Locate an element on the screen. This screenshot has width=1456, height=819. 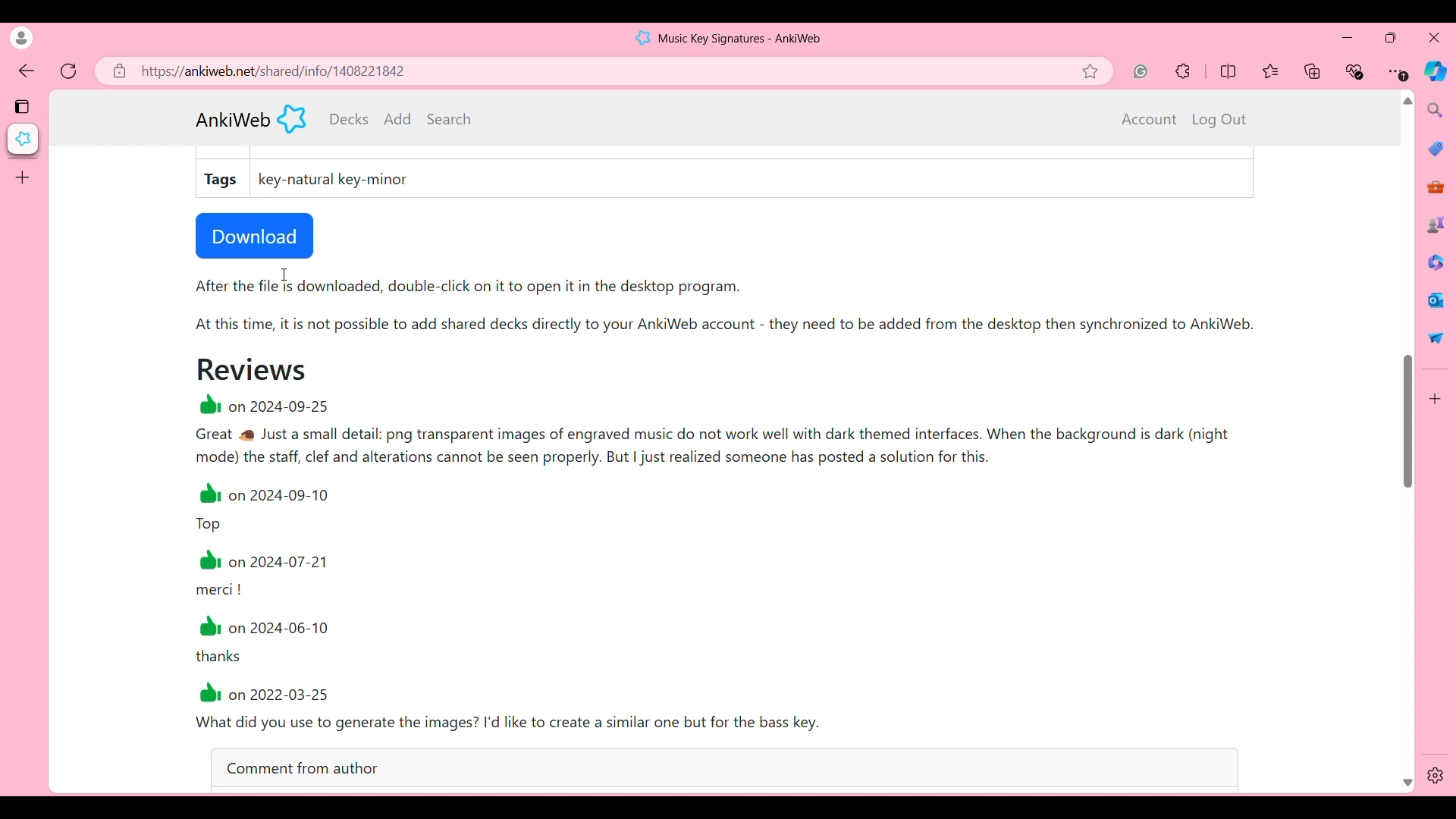
Add current page to favorites is located at coordinates (1096, 71).